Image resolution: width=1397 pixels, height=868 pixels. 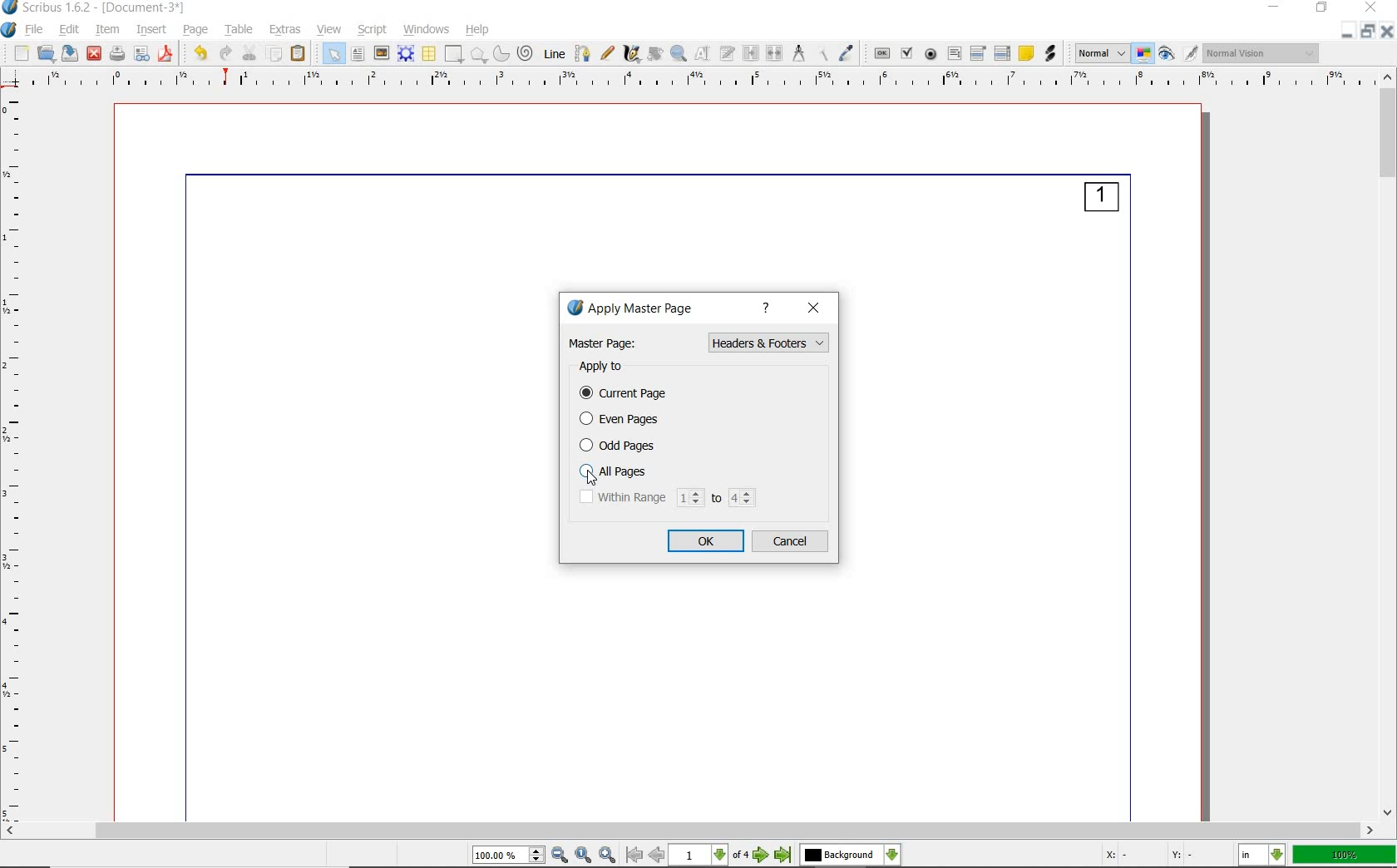 What do you see at coordinates (624, 446) in the screenshot?
I see `odd pages` at bounding box center [624, 446].